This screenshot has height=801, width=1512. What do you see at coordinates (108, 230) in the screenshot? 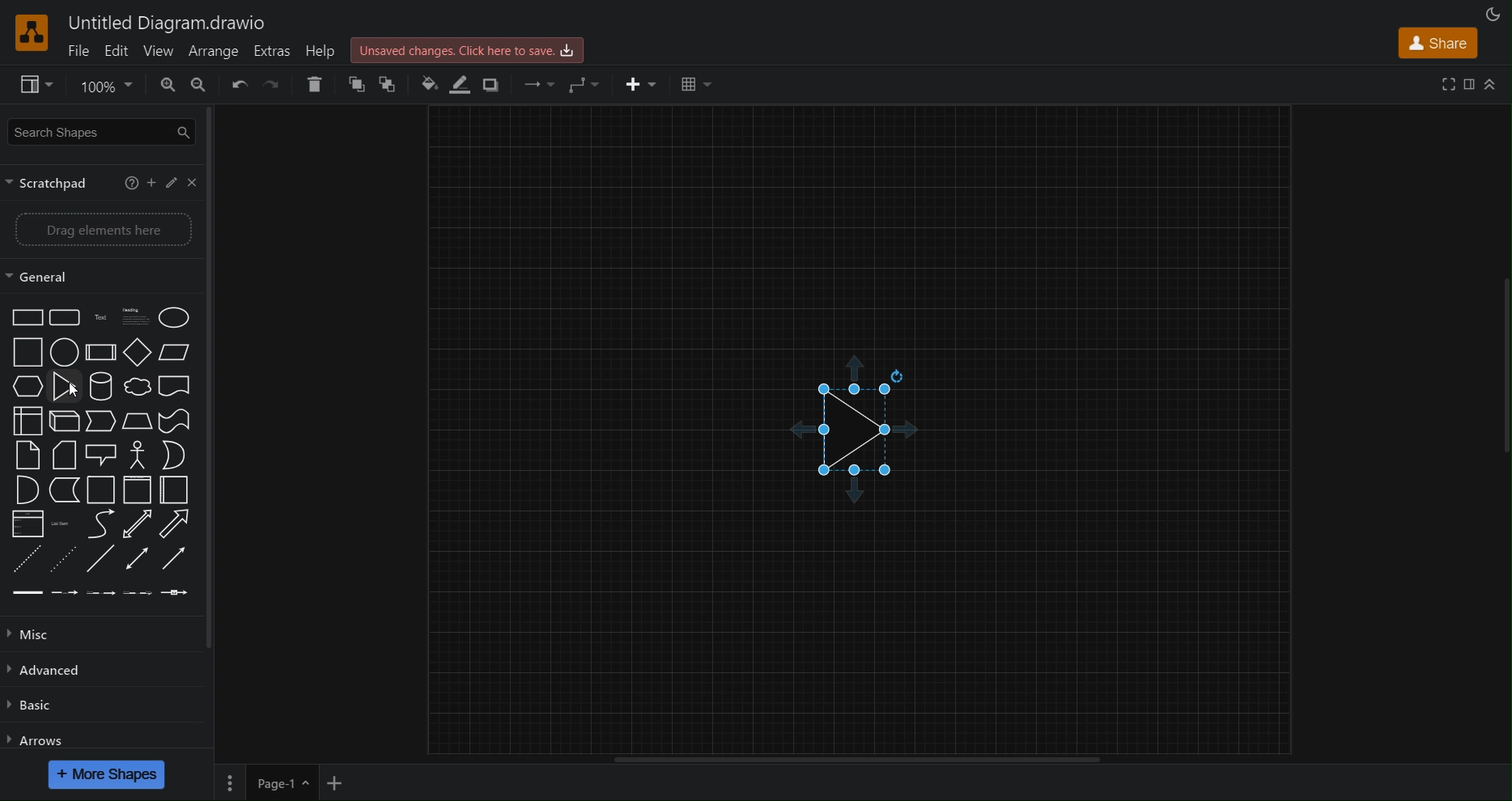
I see `Drag elements here` at bounding box center [108, 230].